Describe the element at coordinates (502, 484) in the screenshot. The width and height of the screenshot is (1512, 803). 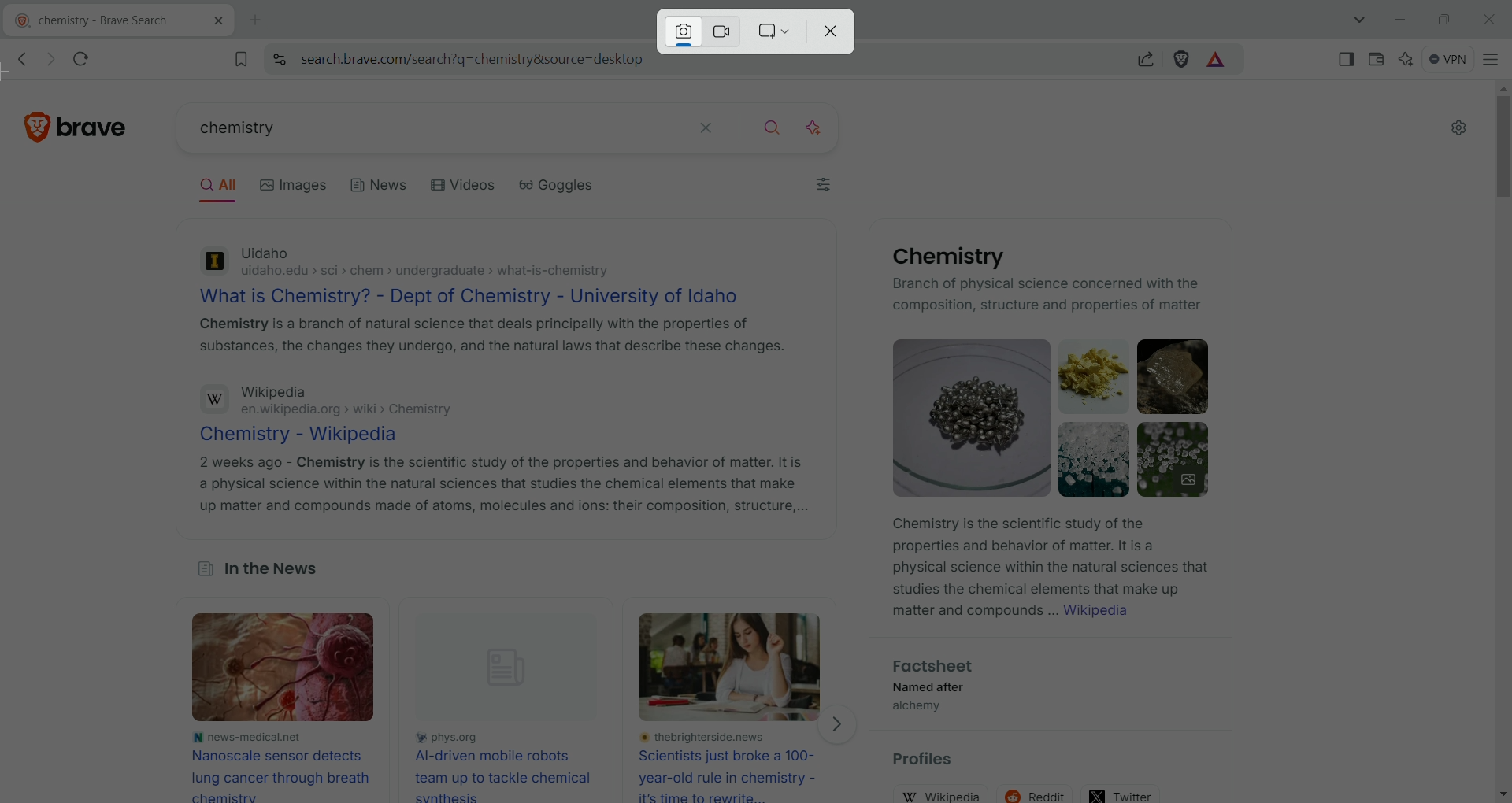
I see `2 weeks ago - Chemistry is the scientific study of the properties and behavior of matter. It is a physical science within the natural sciences that studies the chemical elements that make up matter and compounds made of atoms, molecules and ions: their composition, structure,` at that location.